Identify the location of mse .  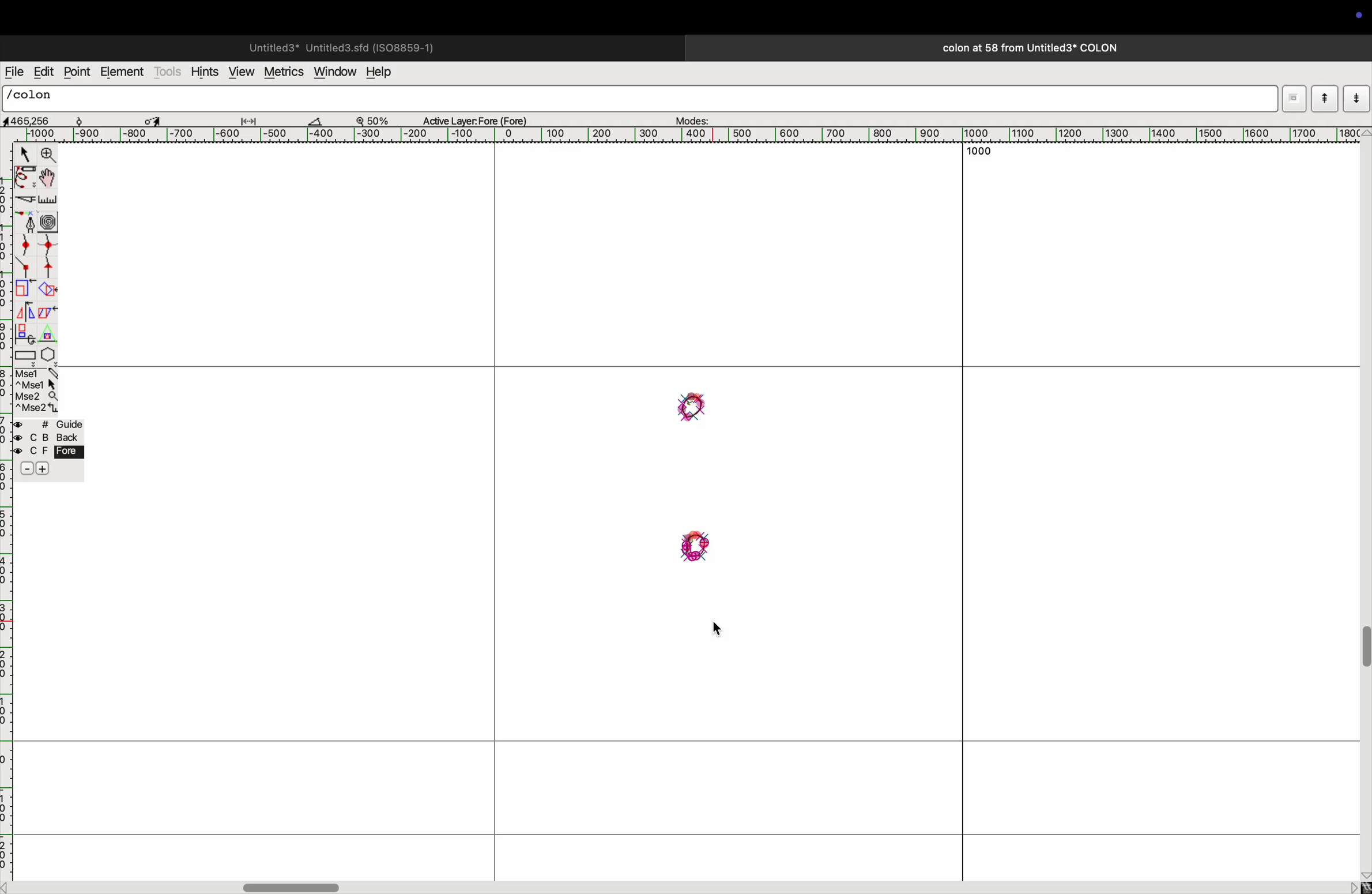
(35, 390).